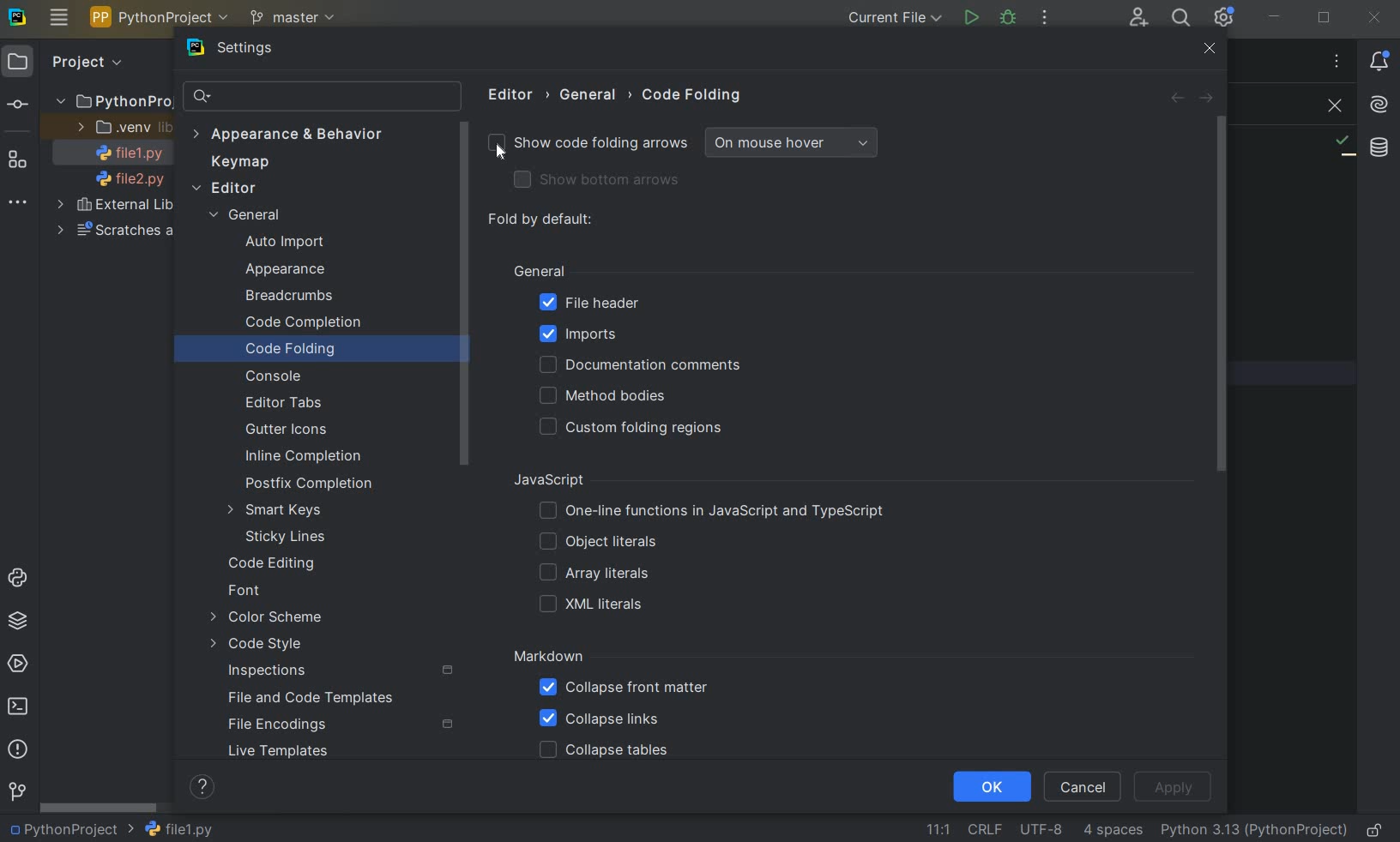 The image size is (1400, 842). Describe the element at coordinates (1208, 99) in the screenshot. I see `FORWARD` at that location.